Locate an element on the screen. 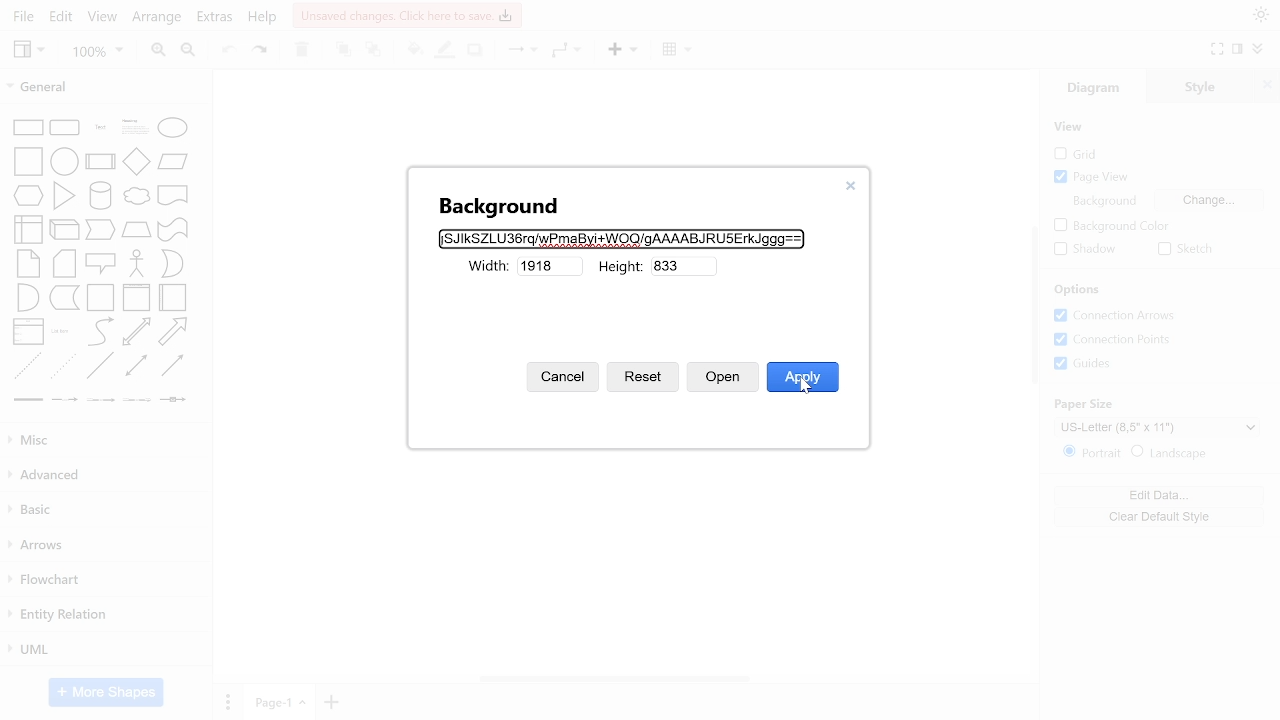 This screenshot has width=1280, height=720. general shapes is located at coordinates (135, 262).